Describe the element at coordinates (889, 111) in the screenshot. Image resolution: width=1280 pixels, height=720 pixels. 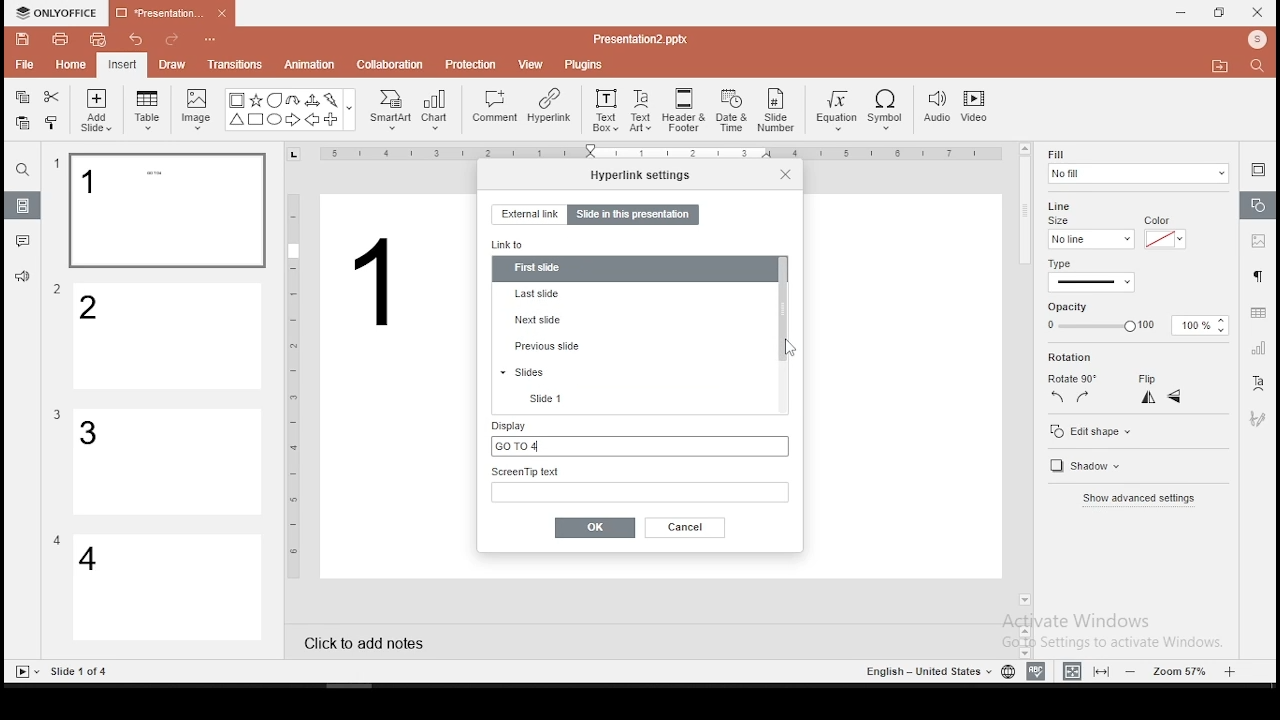
I see `symbol` at that location.